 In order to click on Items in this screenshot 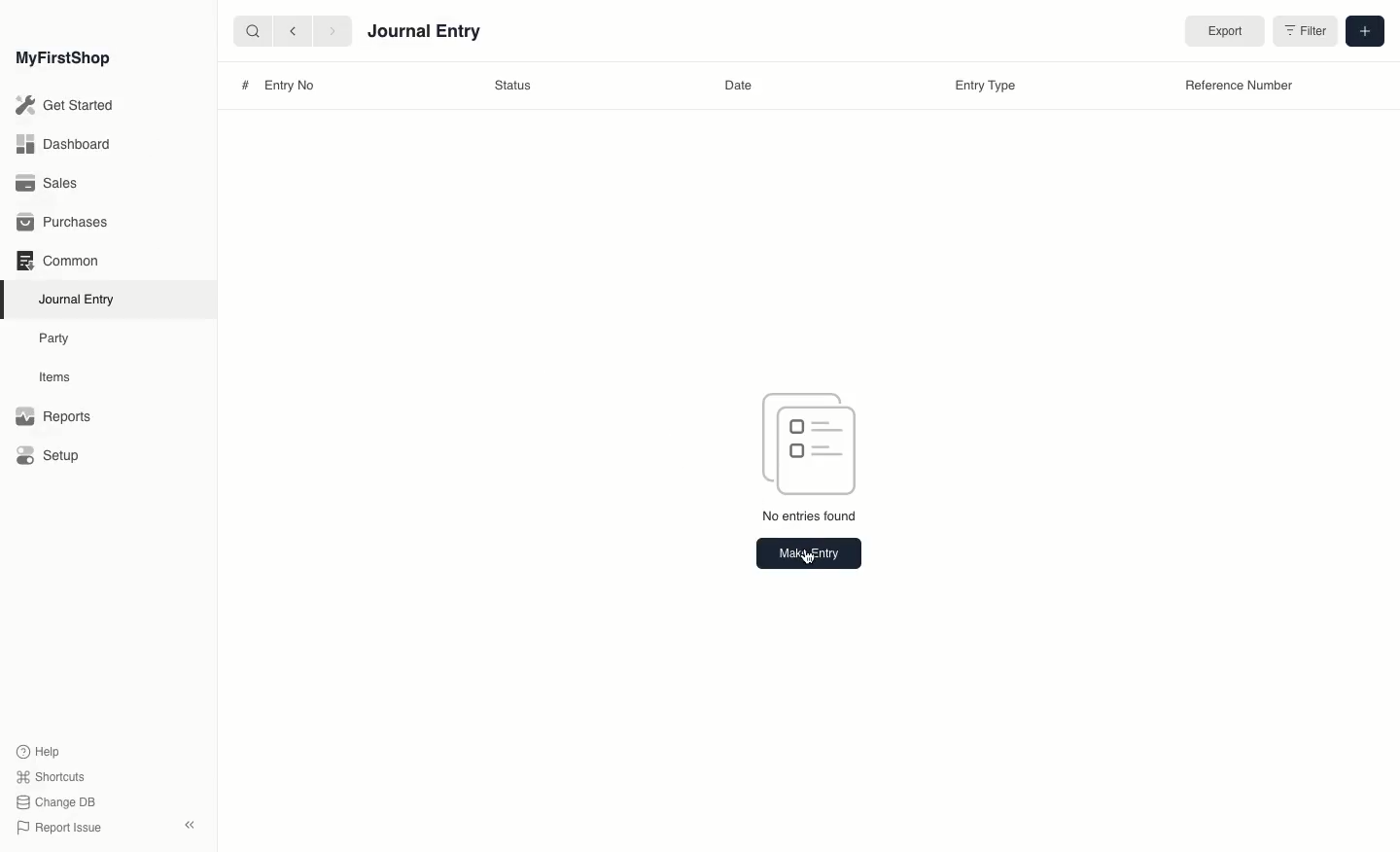, I will do `click(60, 377)`.